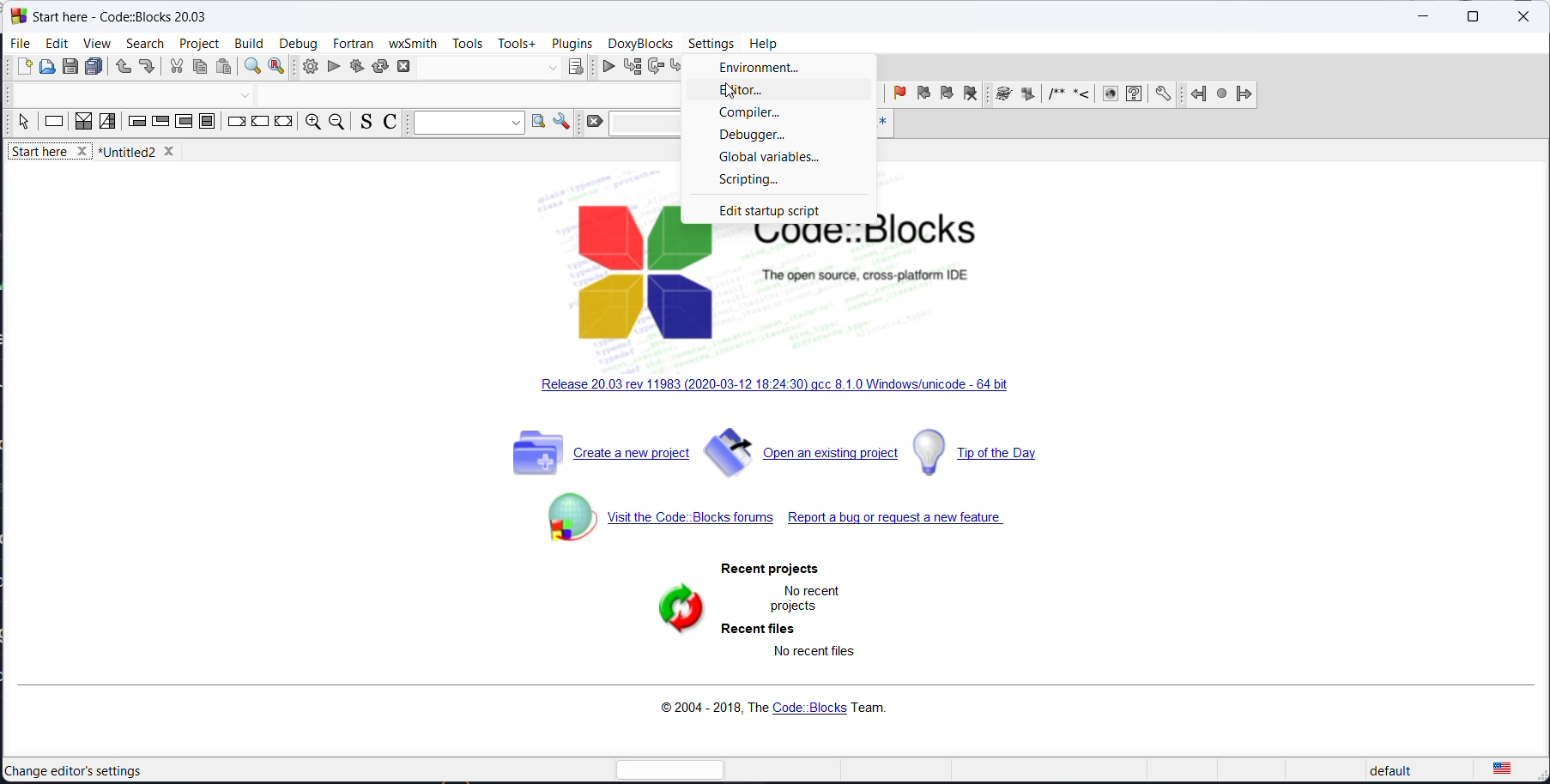  Describe the element at coordinates (1081, 96) in the screenshot. I see `icon` at that location.